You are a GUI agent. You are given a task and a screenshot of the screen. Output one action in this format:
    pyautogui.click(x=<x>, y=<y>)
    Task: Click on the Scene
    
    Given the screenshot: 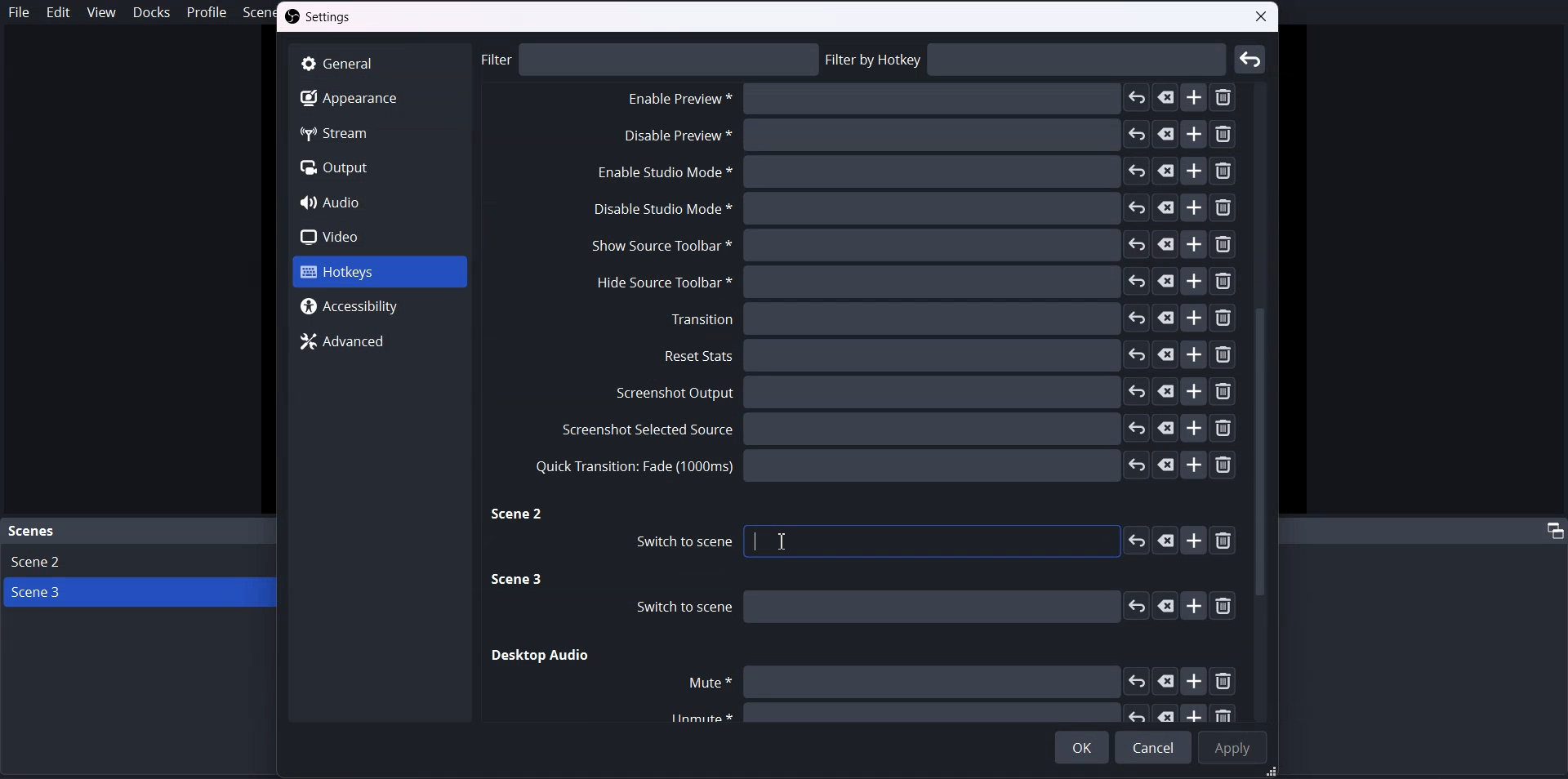 What is the action you would take?
    pyautogui.click(x=33, y=532)
    